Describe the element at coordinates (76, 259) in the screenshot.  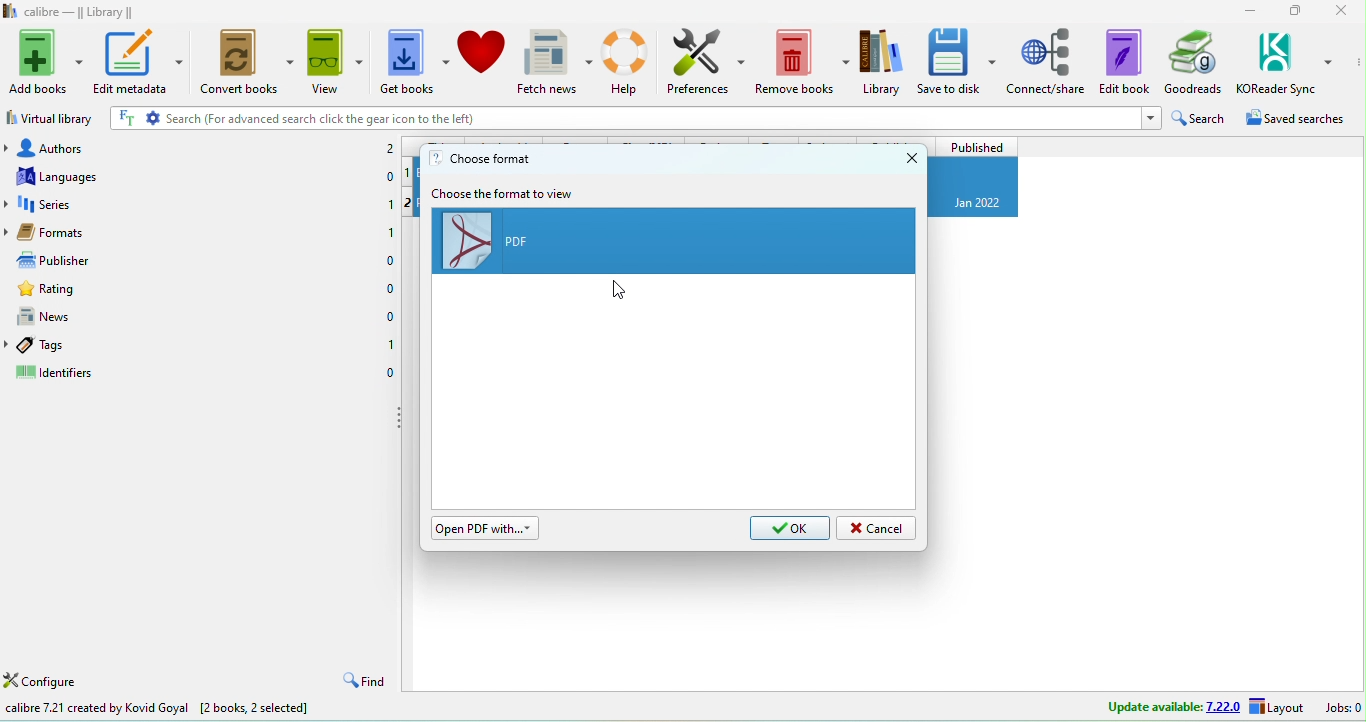
I see `publisher` at that location.